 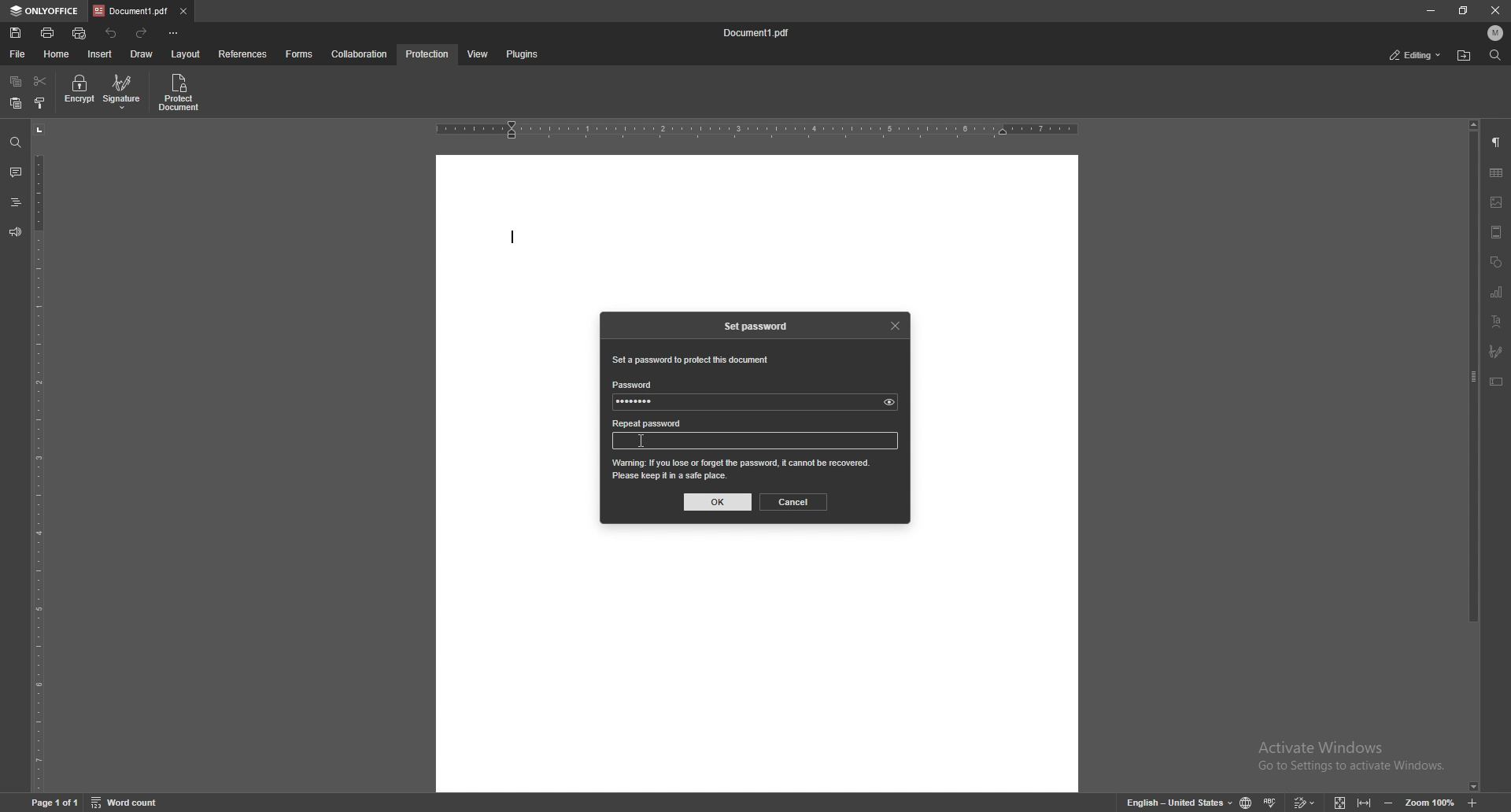 I want to click on references, so click(x=242, y=55).